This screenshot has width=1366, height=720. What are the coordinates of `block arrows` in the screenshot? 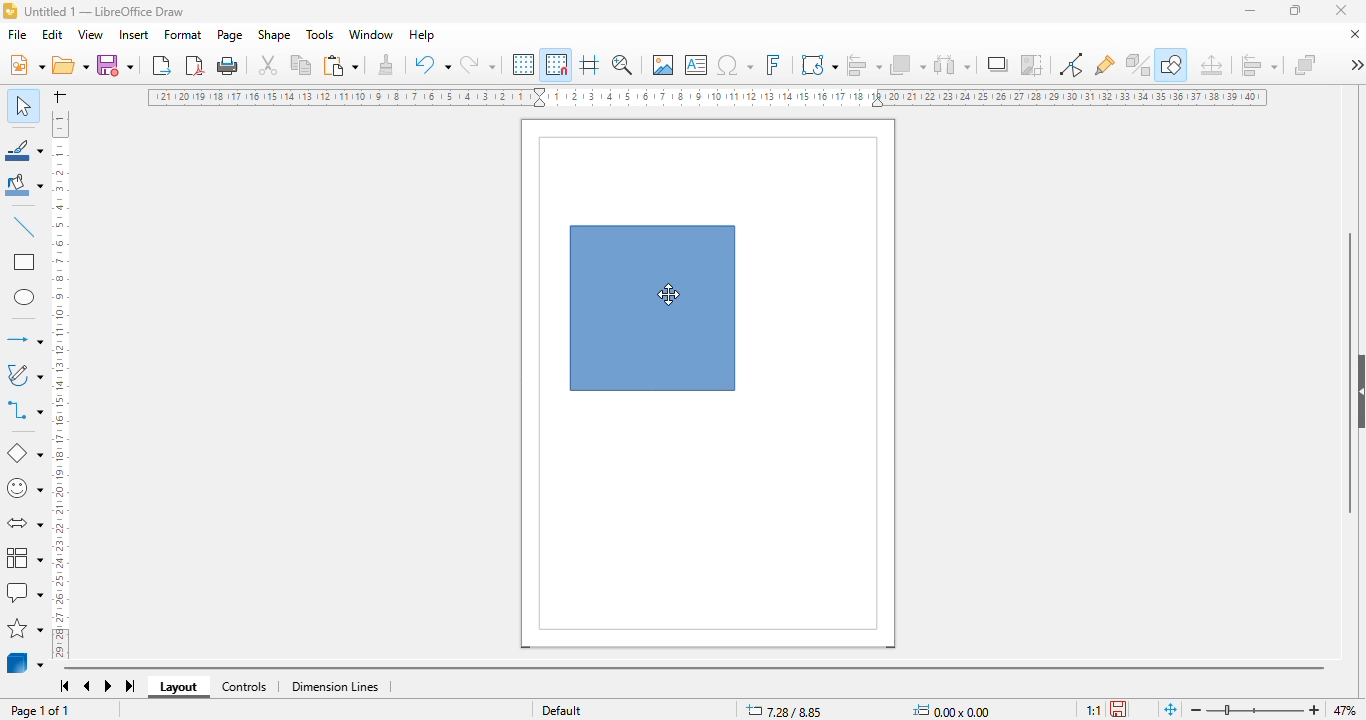 It's located at (24, 524).